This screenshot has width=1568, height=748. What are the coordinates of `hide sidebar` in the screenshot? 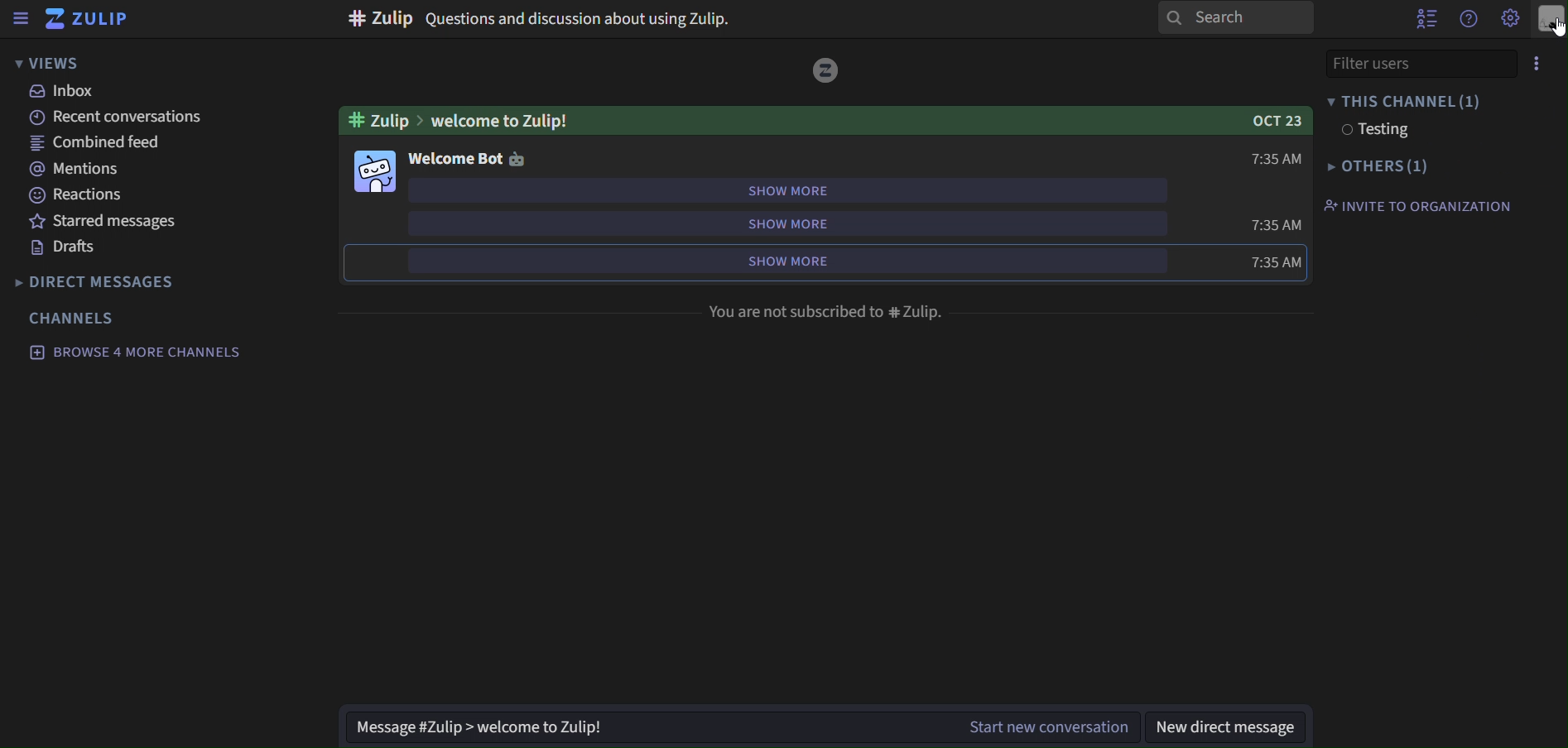 It's located at (22, 21).